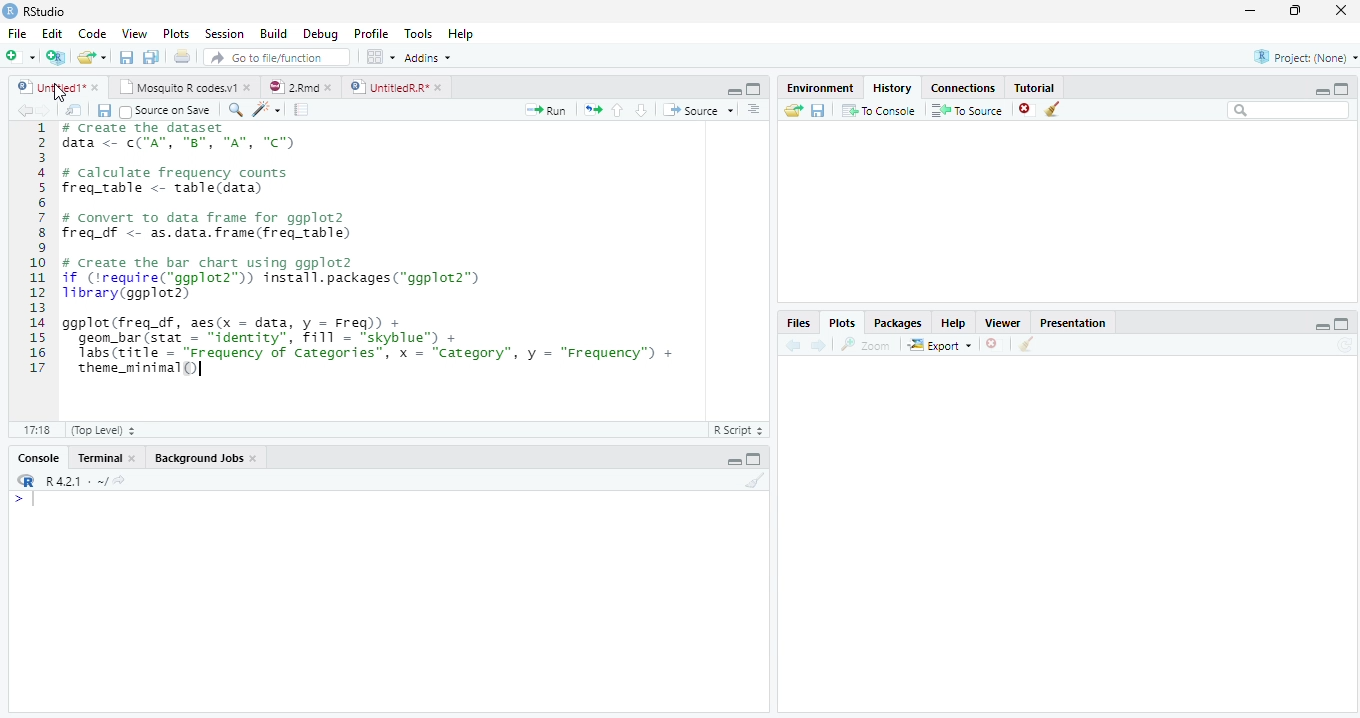  I want to click on Clear Console, so click(1027, 344).